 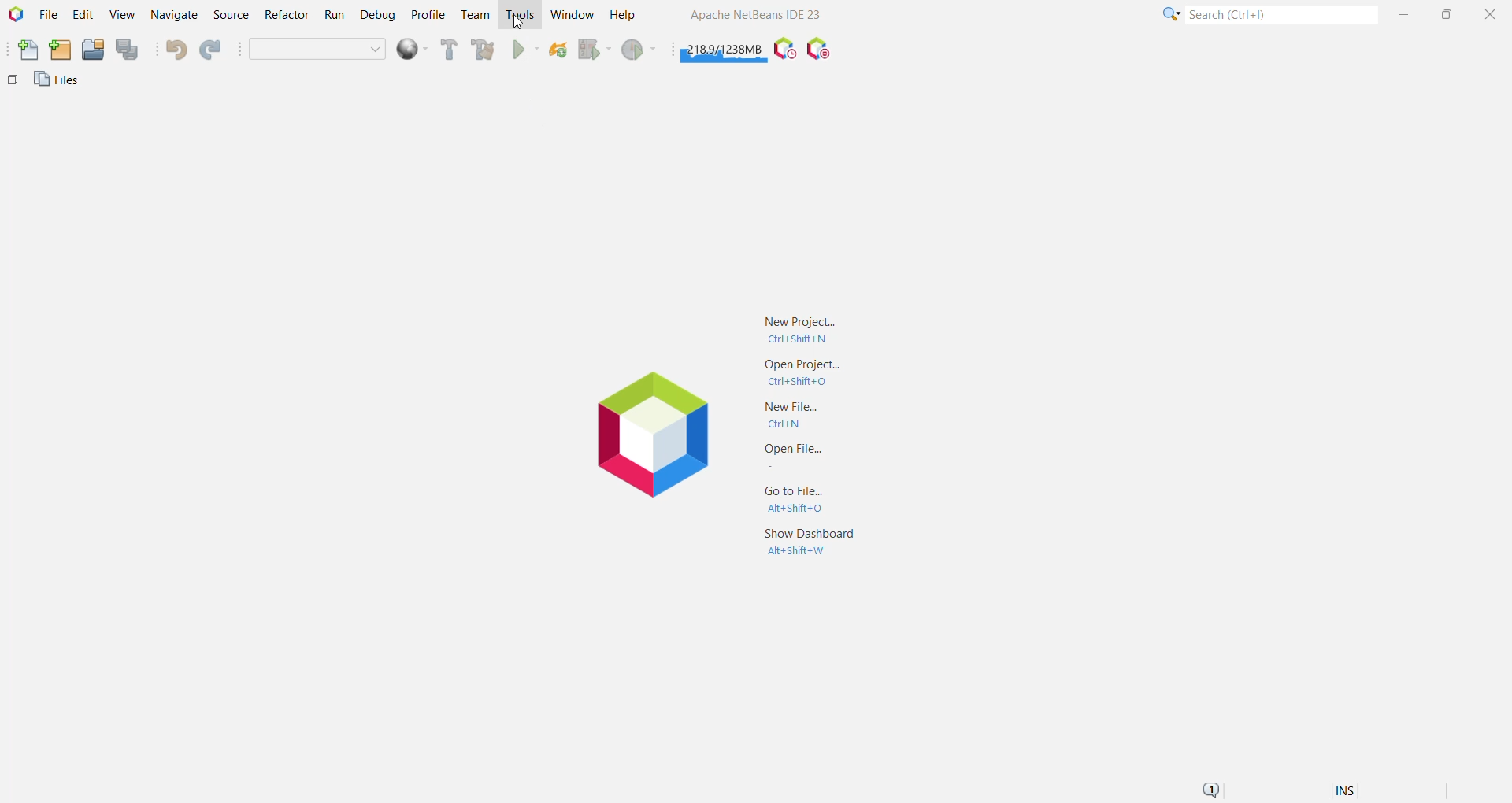 What do you see at coordinates (14, 15) in the screenshot?
I see `Application Logo` at bounding box center [14, 15].